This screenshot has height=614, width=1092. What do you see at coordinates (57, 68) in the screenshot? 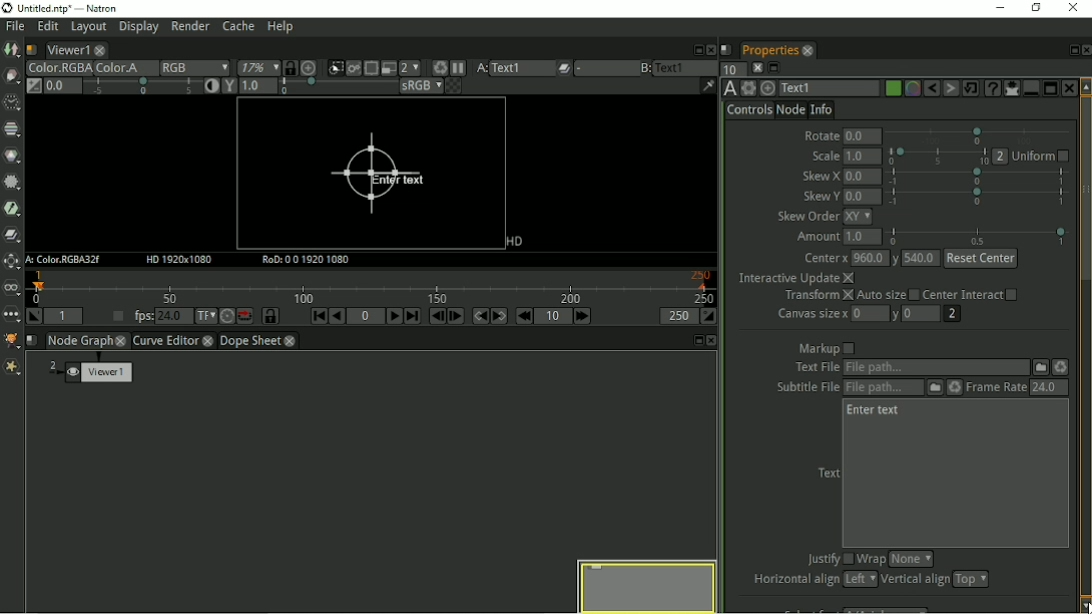
I see `Color.RGBA` at bounding box center [57, 68].